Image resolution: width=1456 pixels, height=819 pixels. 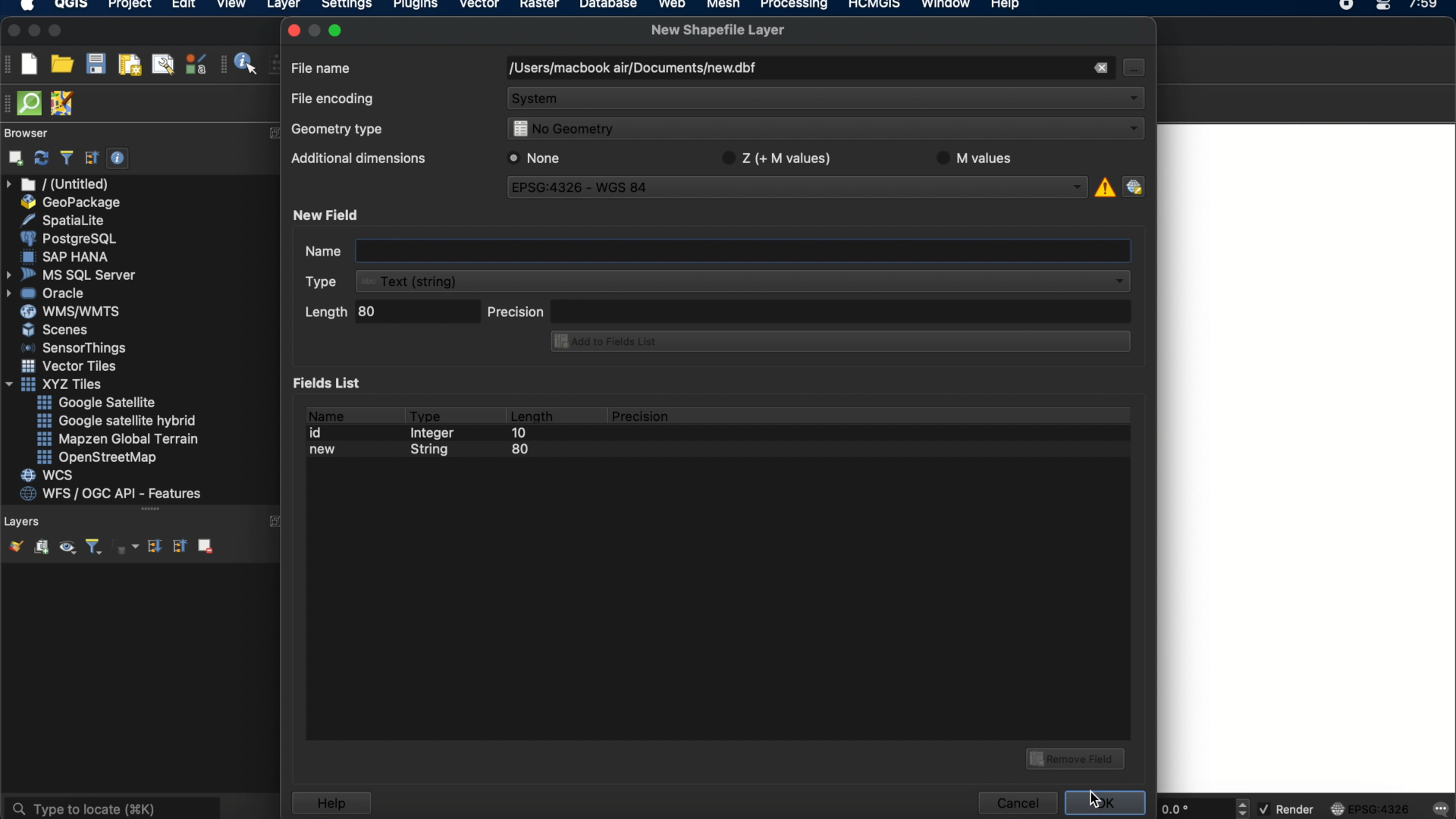 What do you see at coordinates (66, 549) in the screenshot?
I see `manage map themes` at bounding box center [66, 549].